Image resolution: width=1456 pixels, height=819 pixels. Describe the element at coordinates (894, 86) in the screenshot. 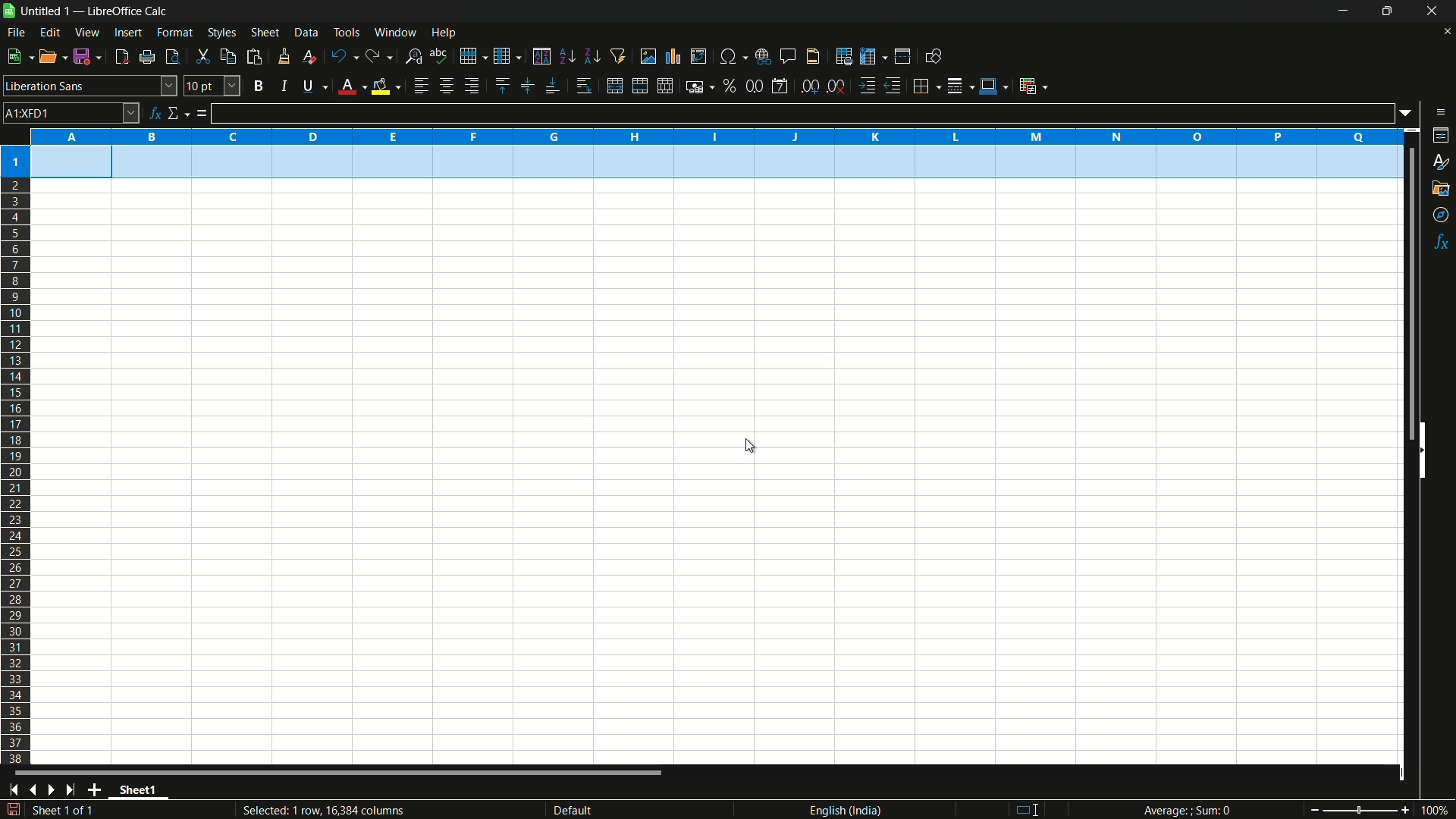

I see `decrease indentation` at that location.